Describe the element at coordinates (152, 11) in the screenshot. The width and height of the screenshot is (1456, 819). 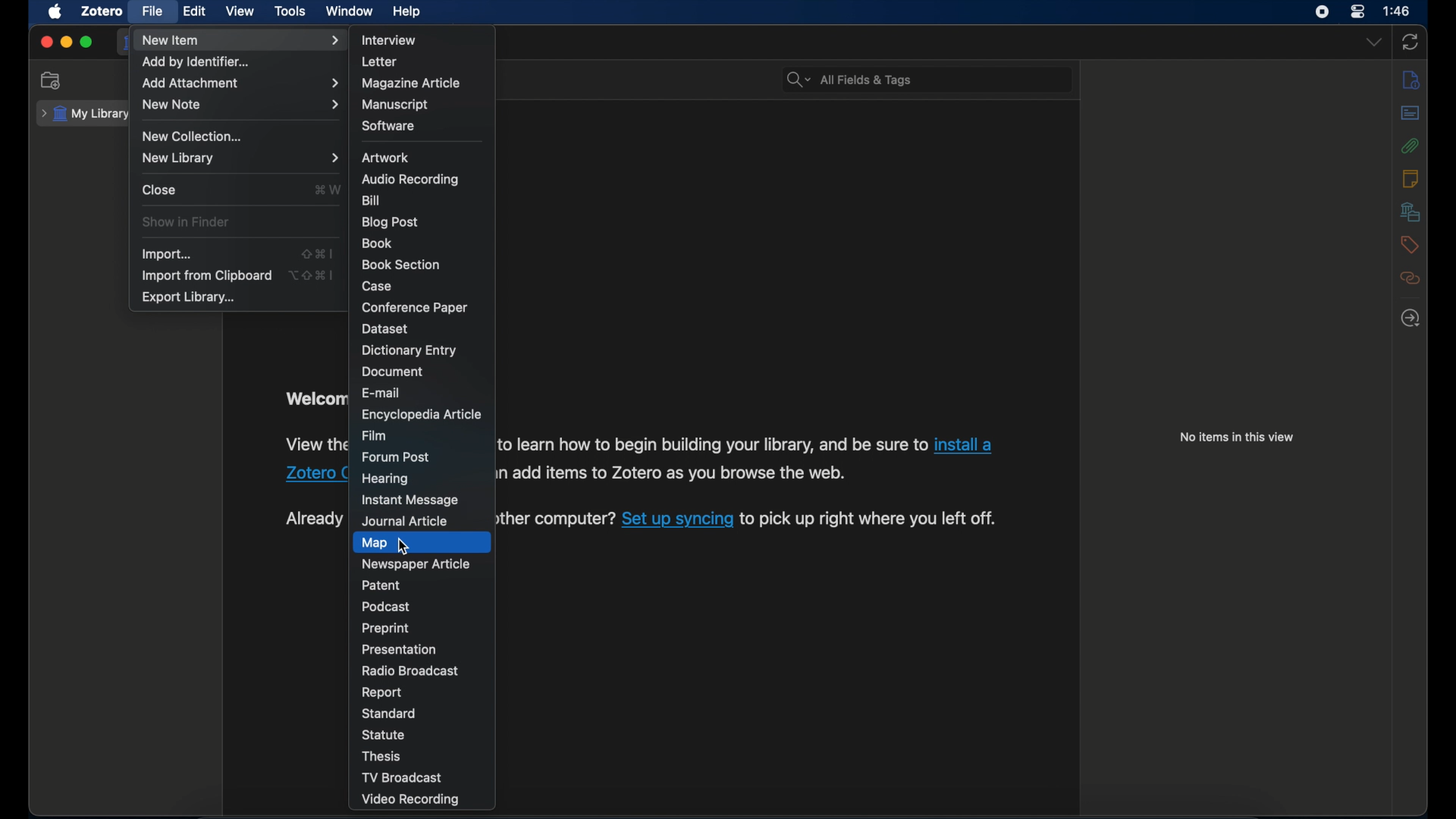
I see `file` at that location.